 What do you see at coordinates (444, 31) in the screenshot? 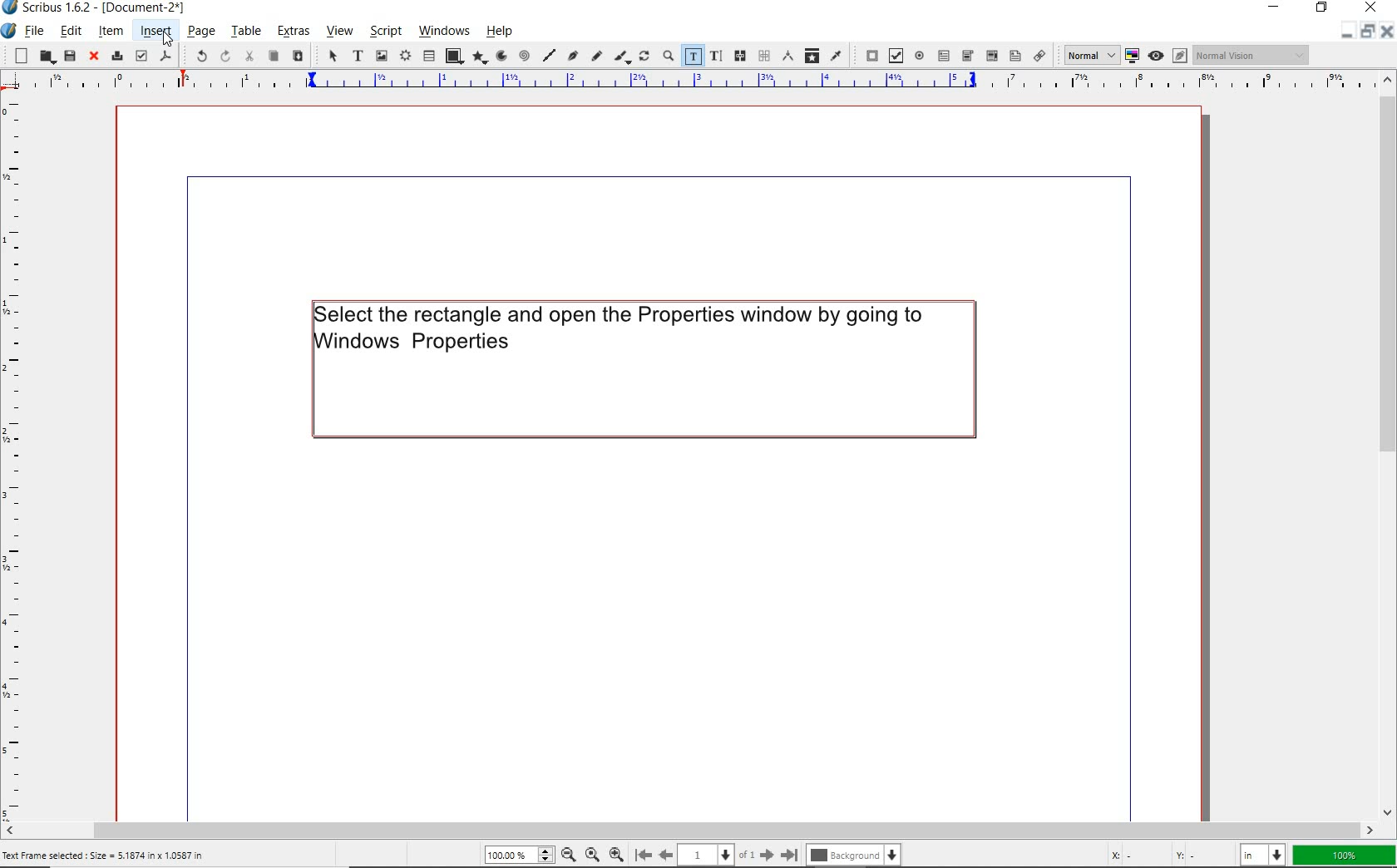
I see `windows` at bounding box center [444, 31].